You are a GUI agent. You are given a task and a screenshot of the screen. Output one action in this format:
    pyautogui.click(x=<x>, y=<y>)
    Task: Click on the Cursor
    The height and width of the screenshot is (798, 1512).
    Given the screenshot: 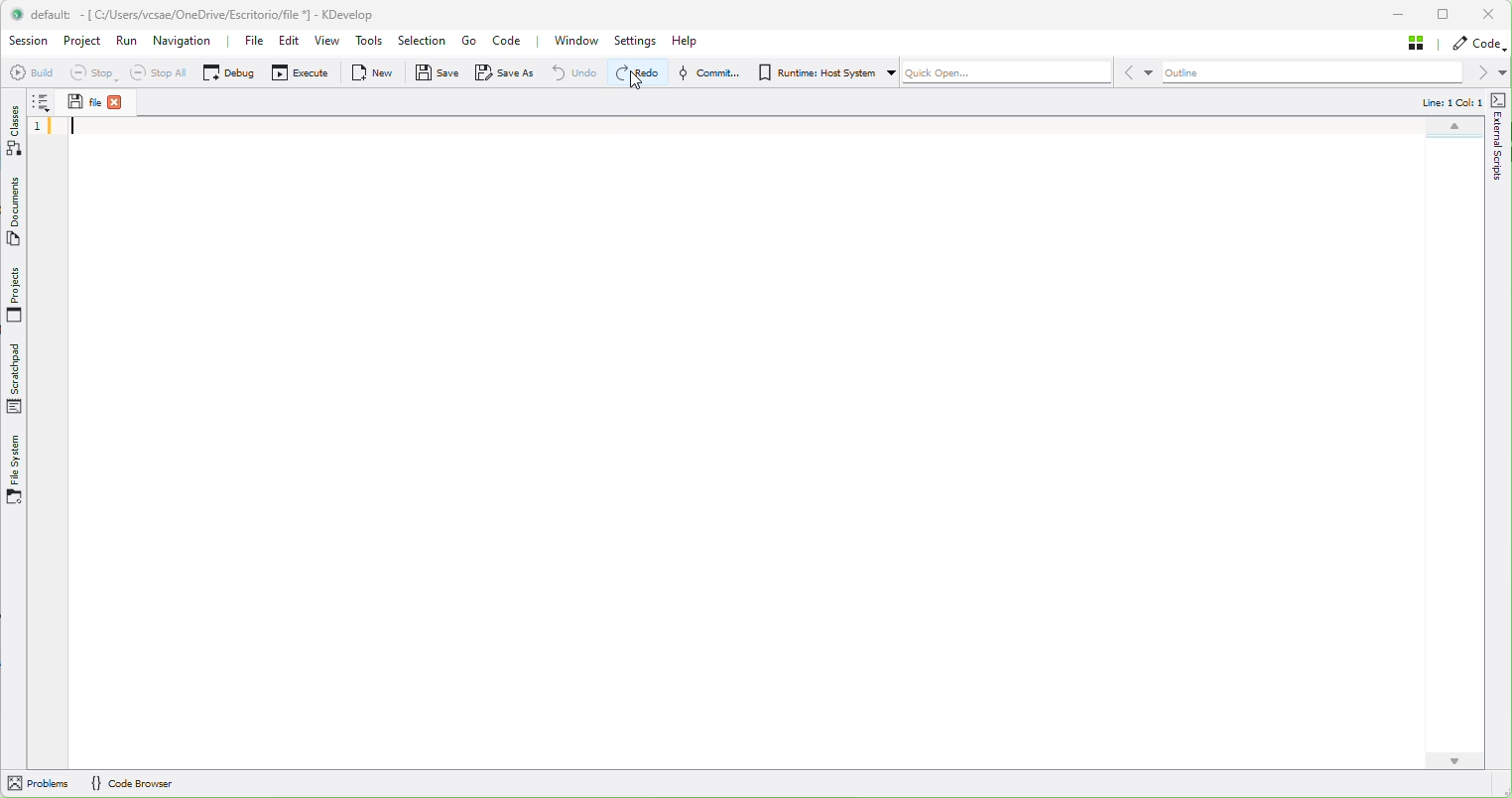 What is the action you would take?
    pyautogui.click(x=72, y=127)
    